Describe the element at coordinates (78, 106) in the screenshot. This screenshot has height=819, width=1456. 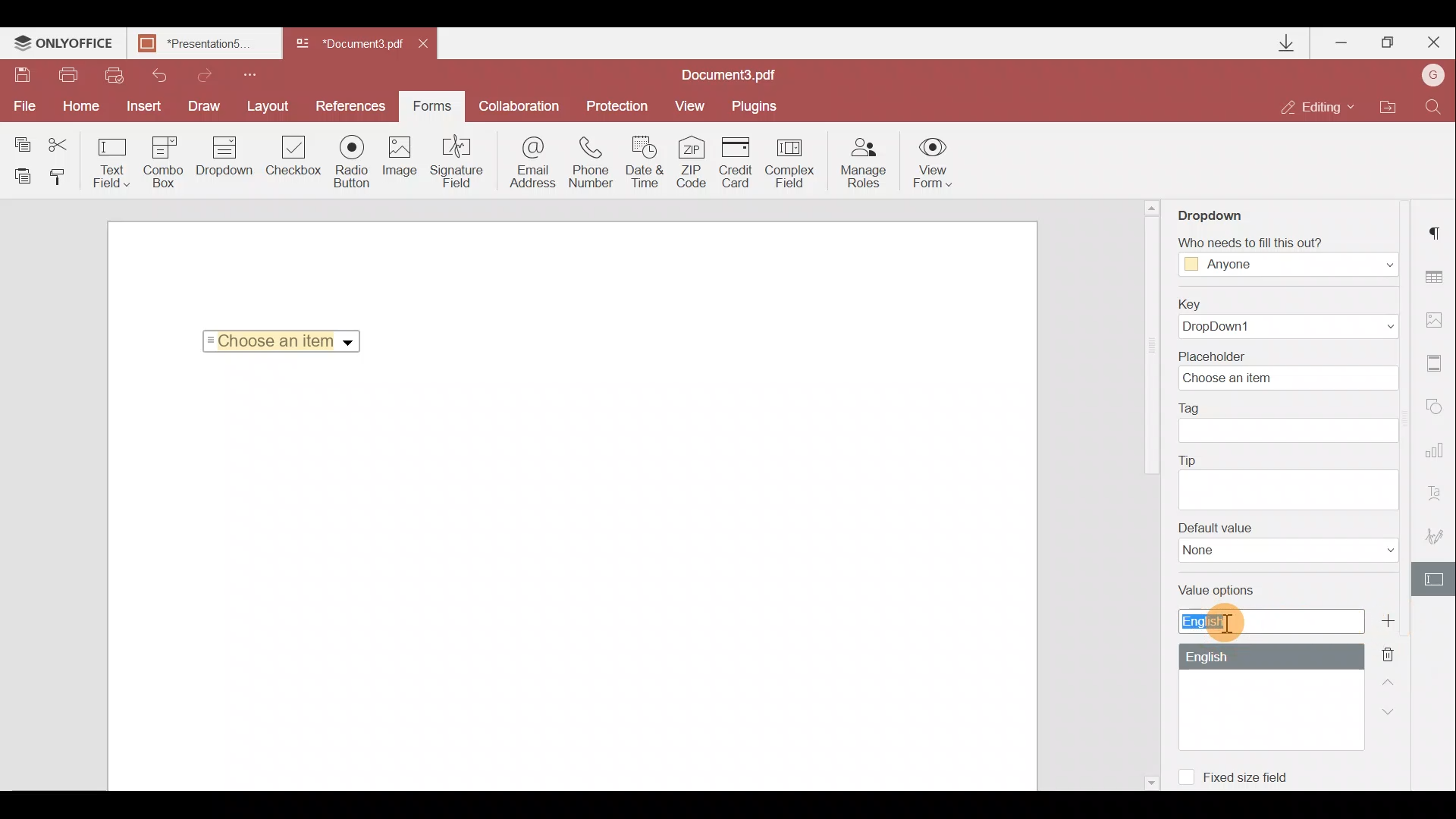
I see `Home` at that location.